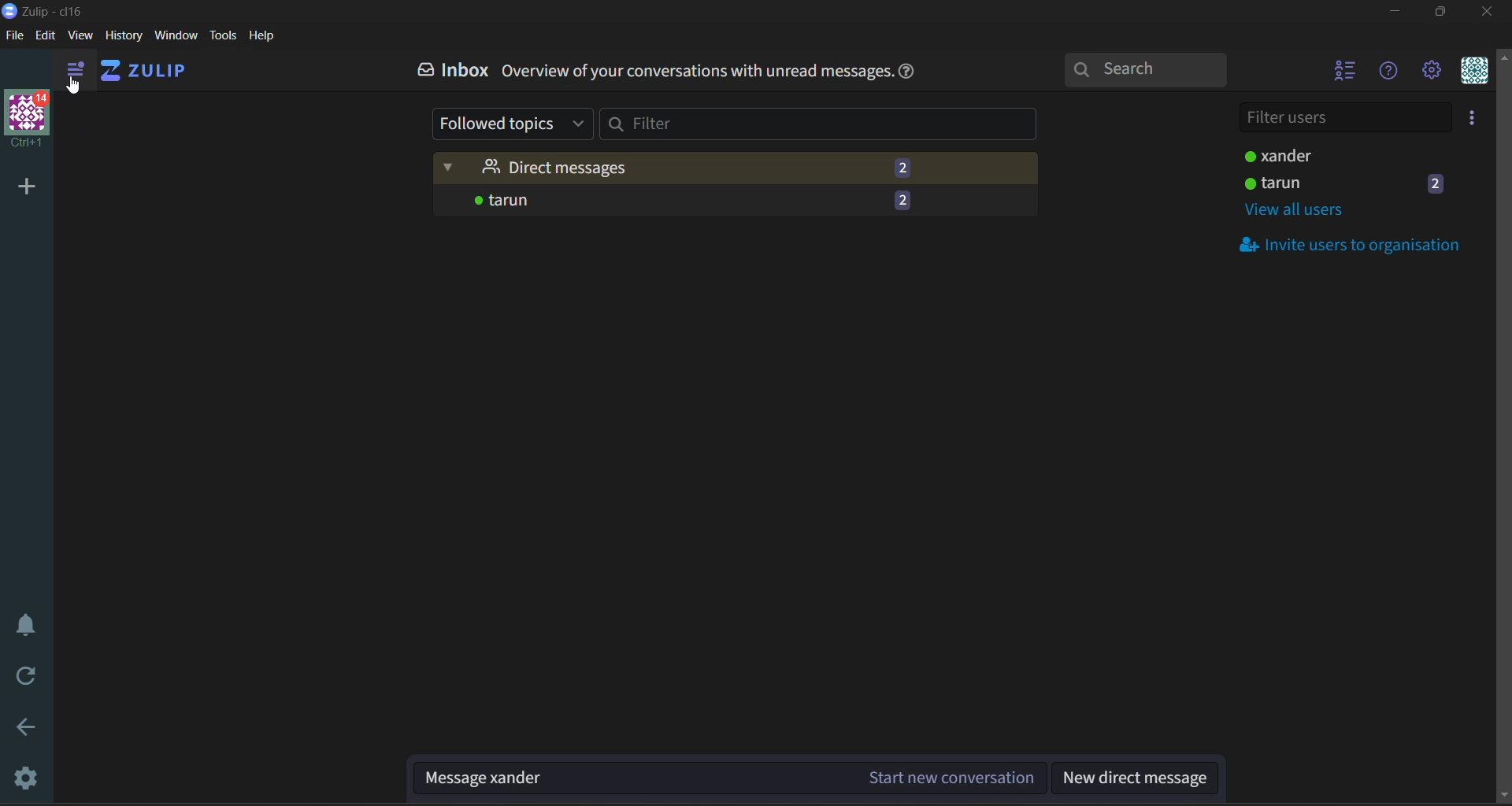 This screenshot has height=806, width=1512. What do you see at coordinates (1392, 70) in the screenshot?
I see `help menu` at bounding box center [1392, 70].